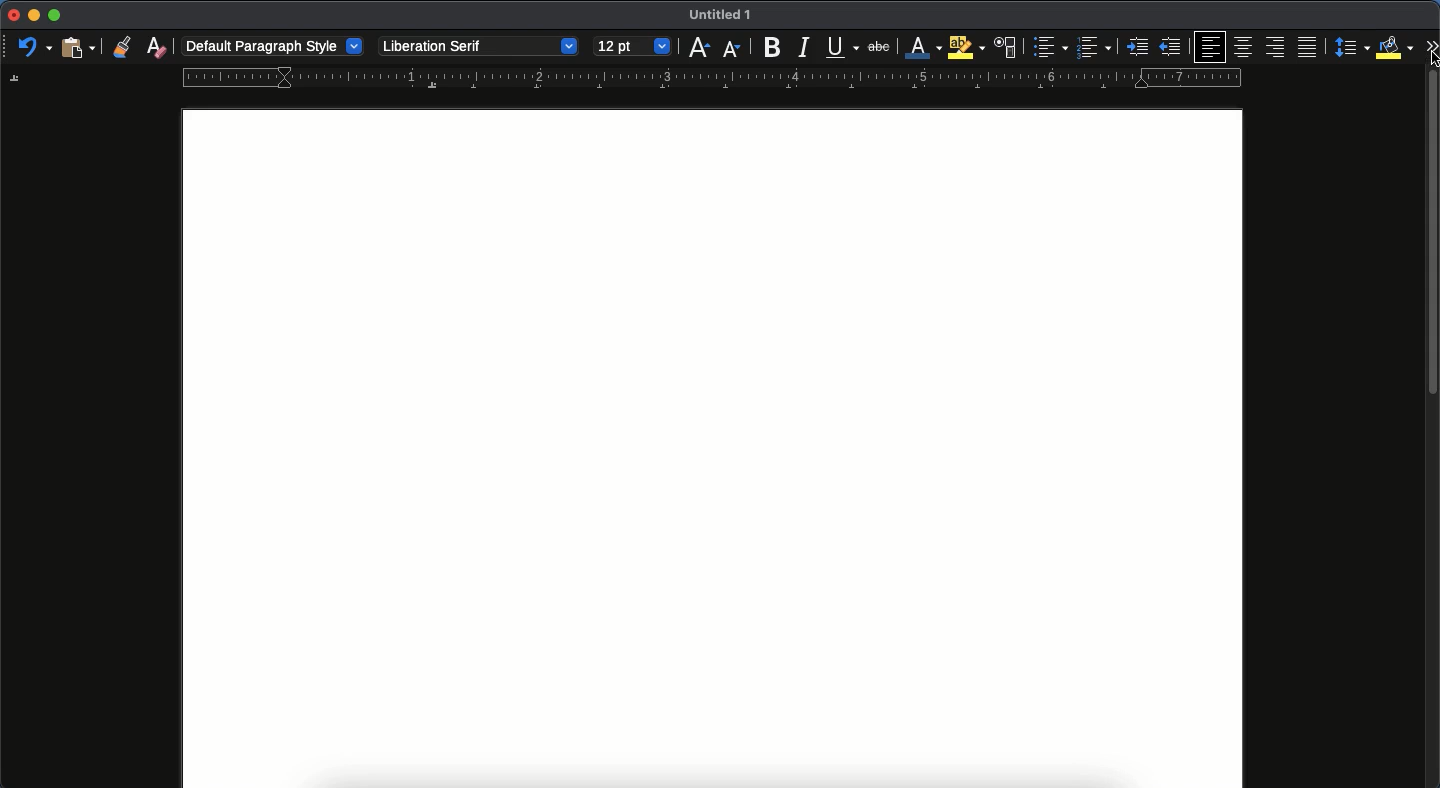  What do you see at coordinates (1244, 44) in the screenshot?
I see `center align` at bounding box center [1244, 44].